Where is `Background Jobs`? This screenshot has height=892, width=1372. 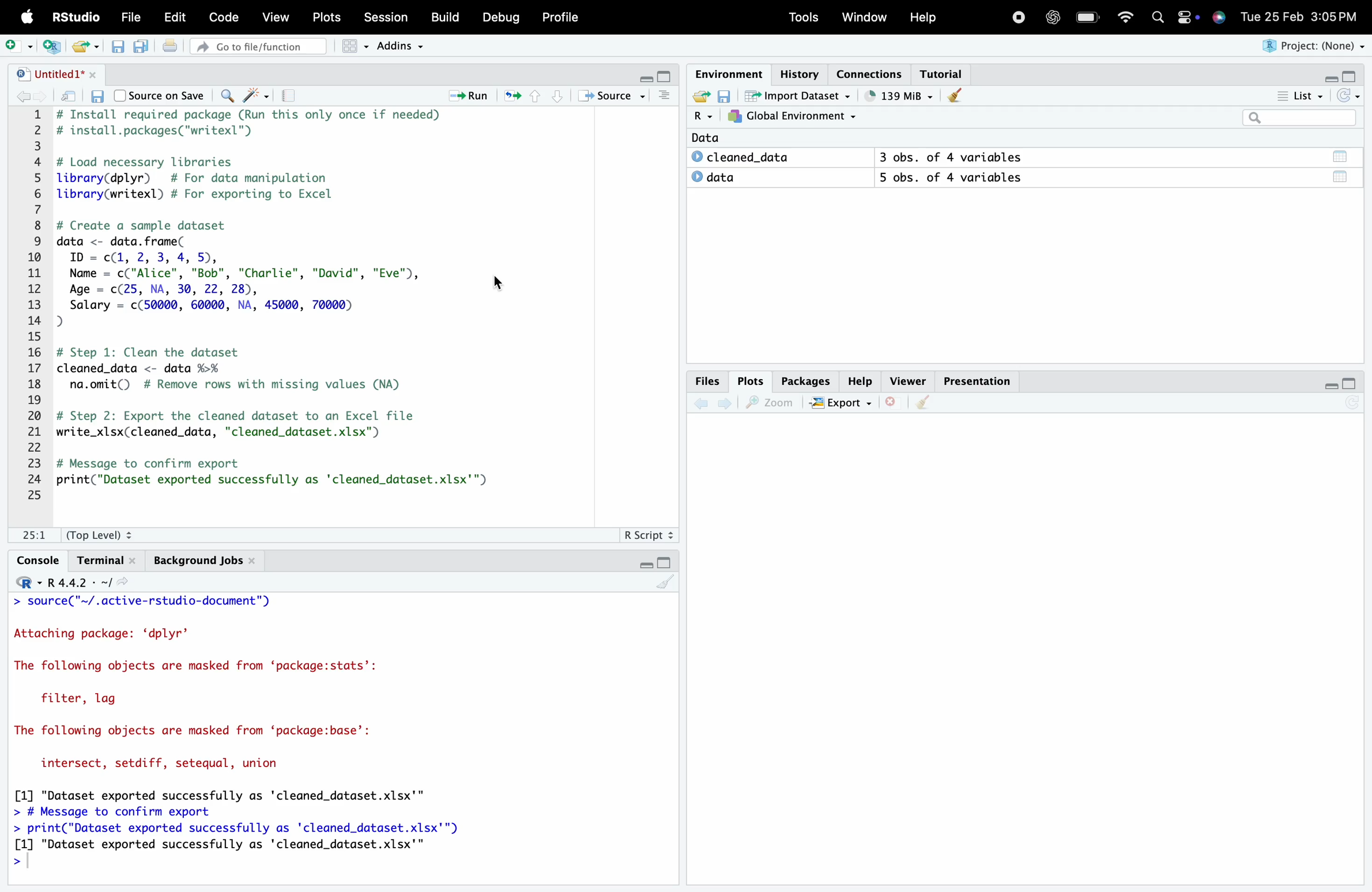
Background Jobs is located at coordinates (203, 558).